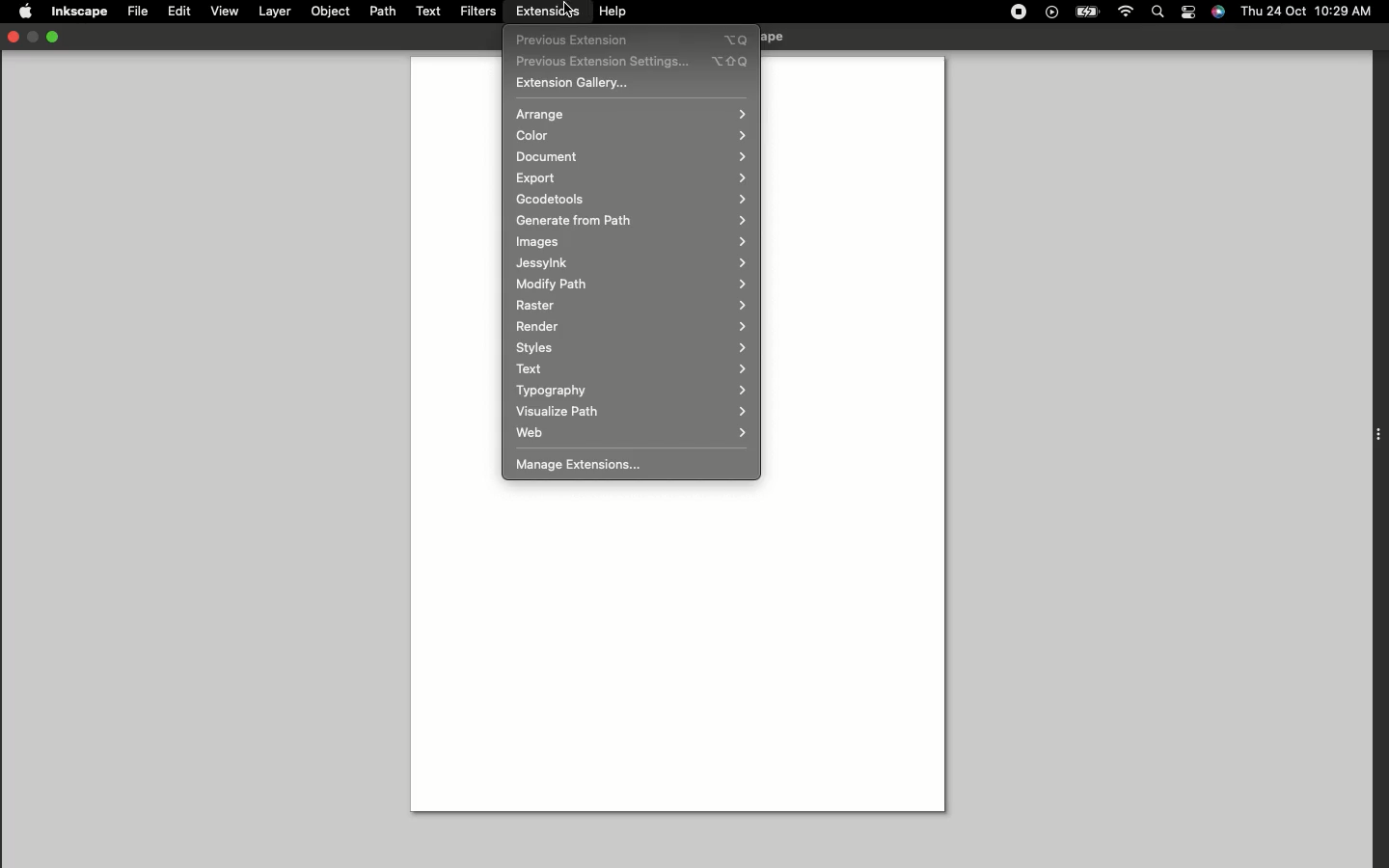 The width and height of the screenshot is (1389, 868). Describe the element at coordinates (1051, 13) in the screenshot. I see `Play` at that location.